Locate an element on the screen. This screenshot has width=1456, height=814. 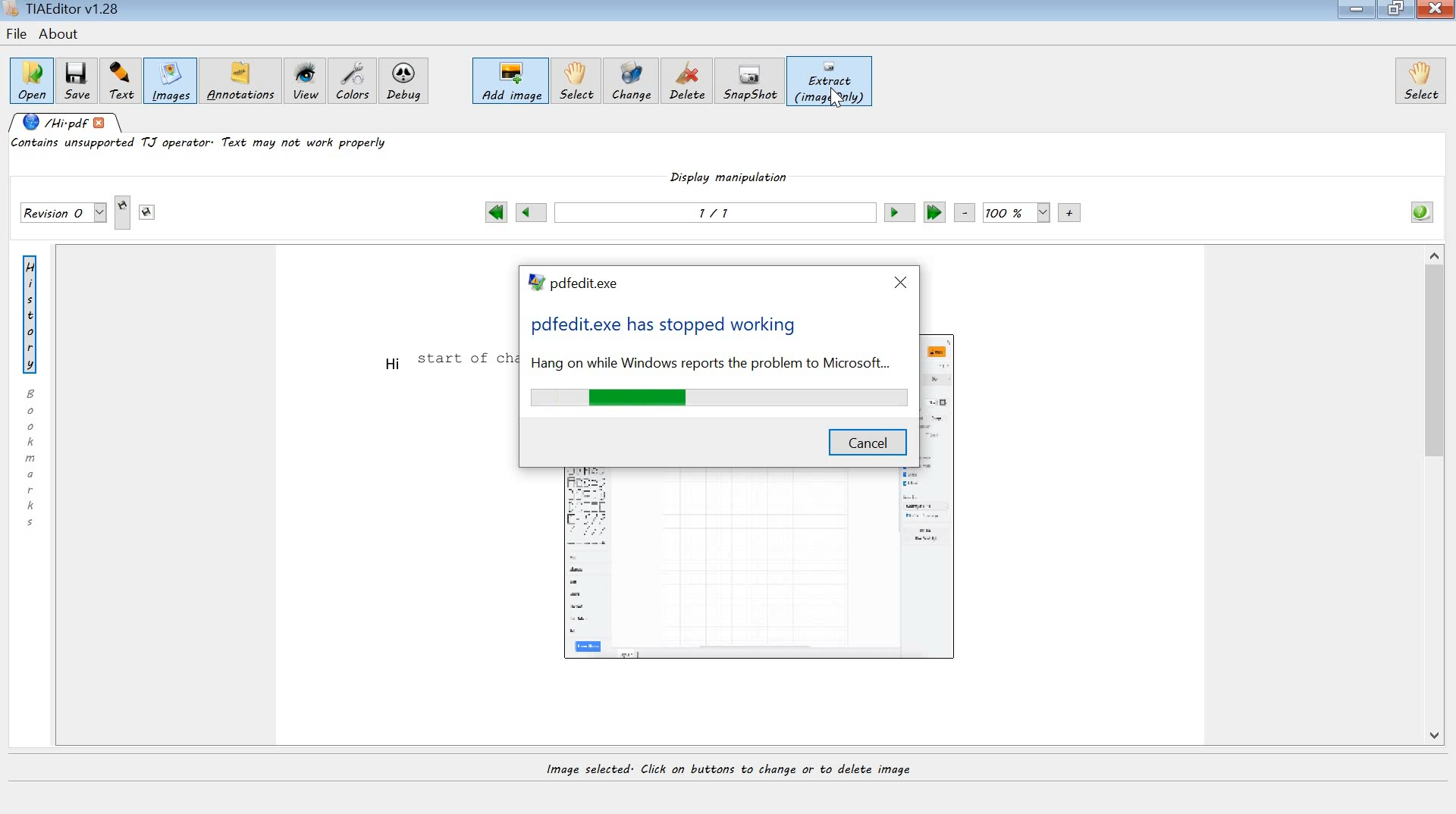
cancel is located at coordinates (868, 439).